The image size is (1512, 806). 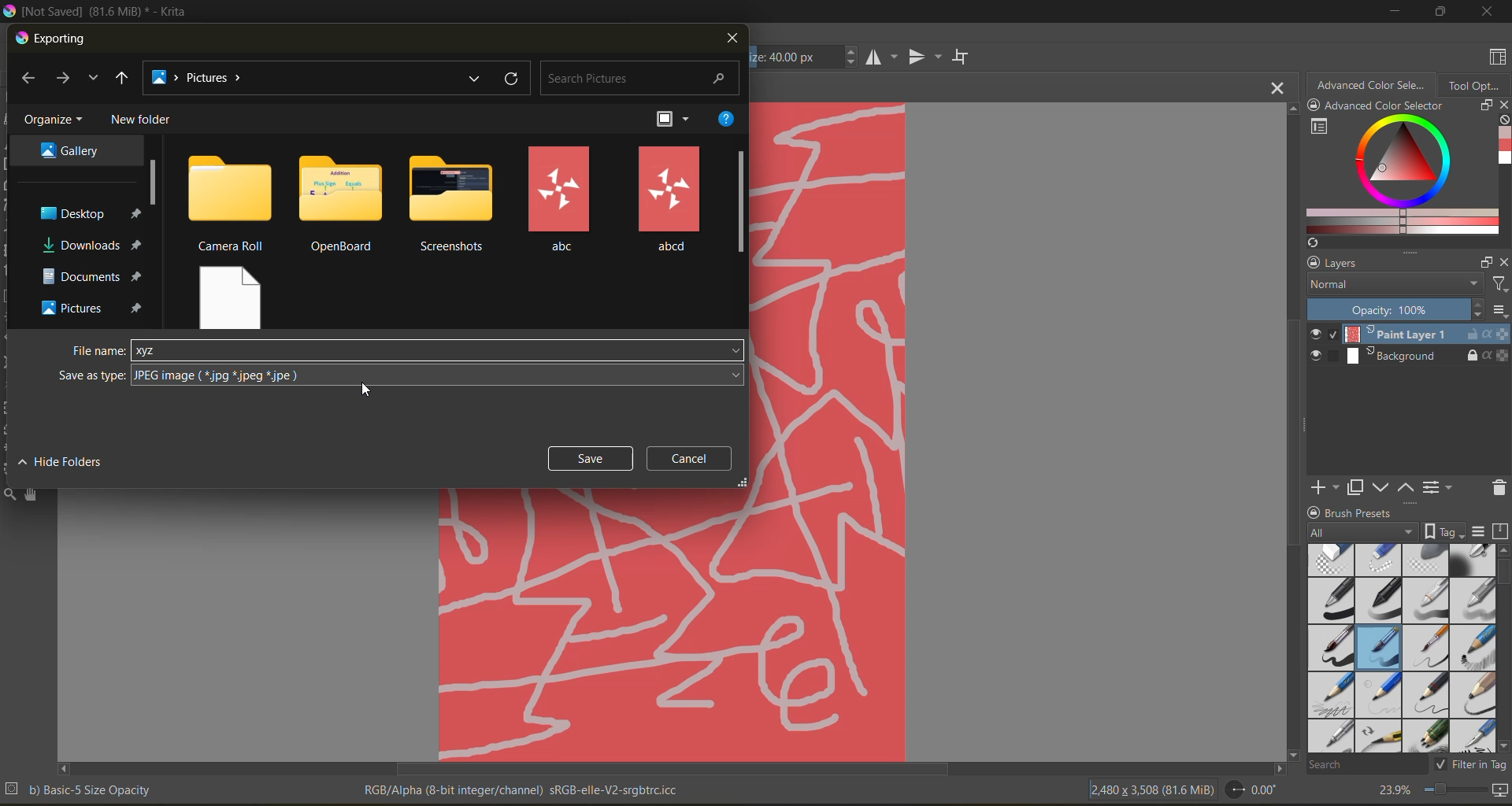 What do you see at coordinates (439, 350) in the screenshot?
I see `Cursor on file name` at bounding box center [439, 350].